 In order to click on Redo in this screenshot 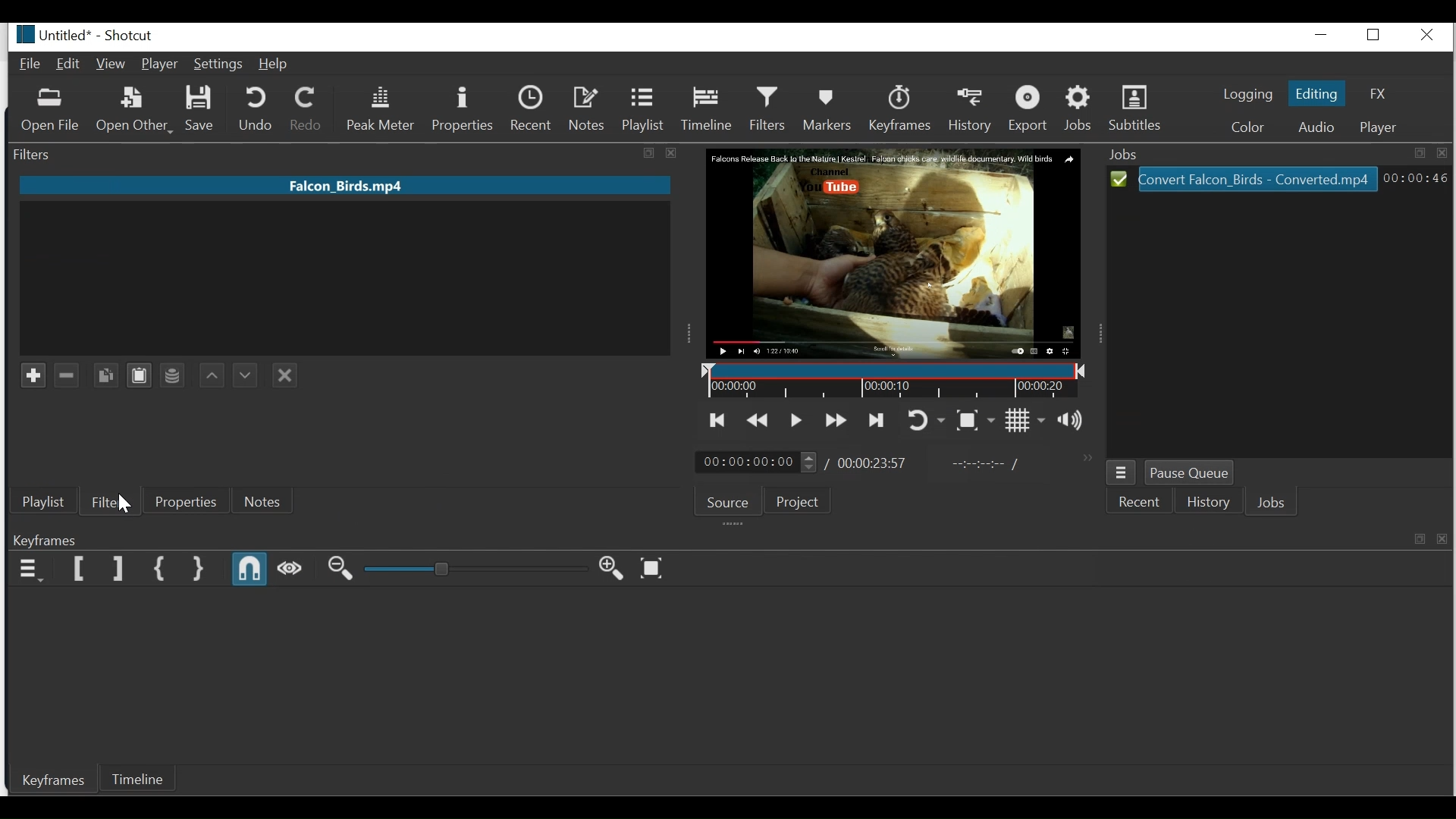, I will do `click(306, 108)`.